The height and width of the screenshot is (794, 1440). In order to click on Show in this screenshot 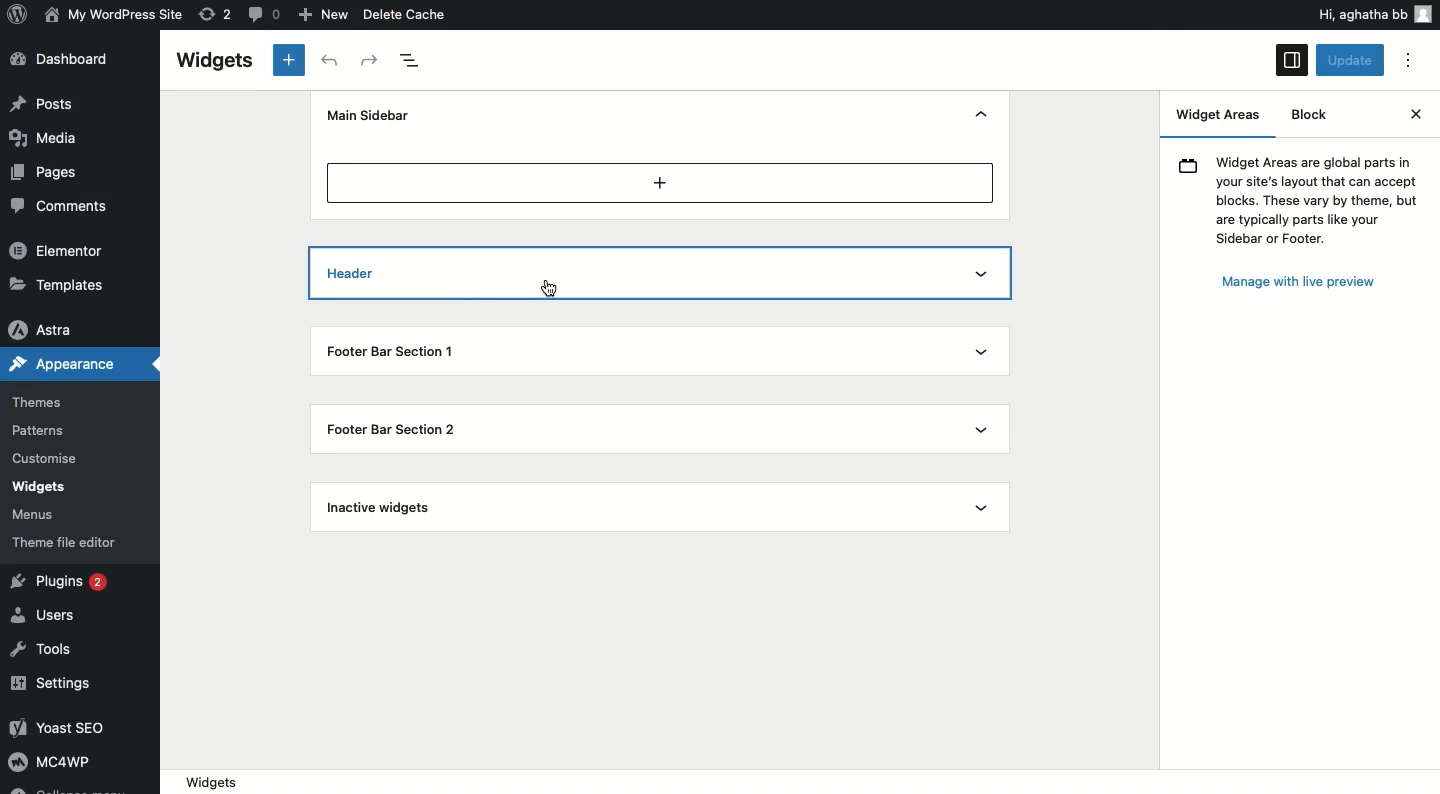, I will do `click(982, 275)`.